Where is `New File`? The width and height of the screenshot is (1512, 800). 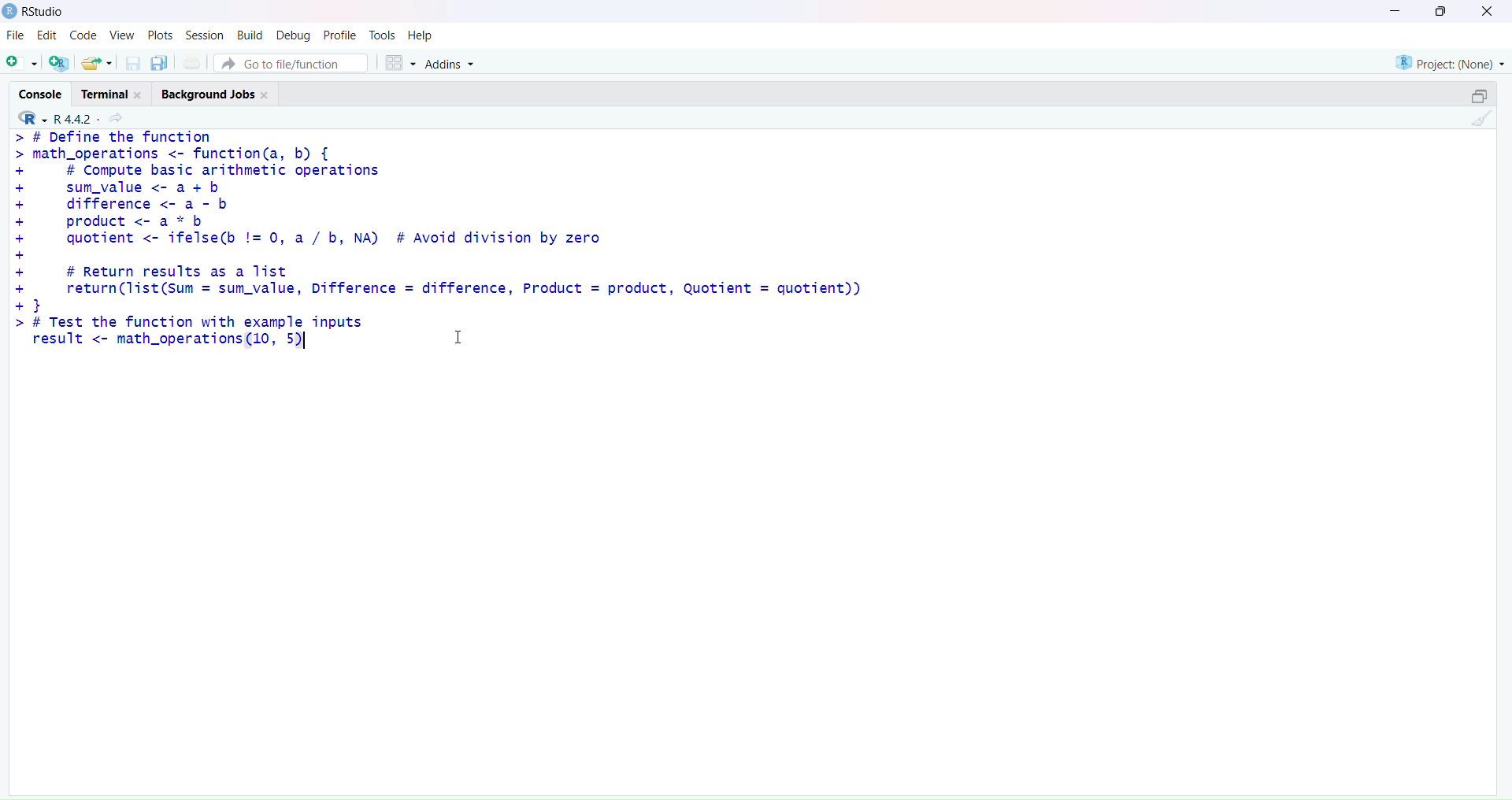 New File is located at coordinates (20, 61).